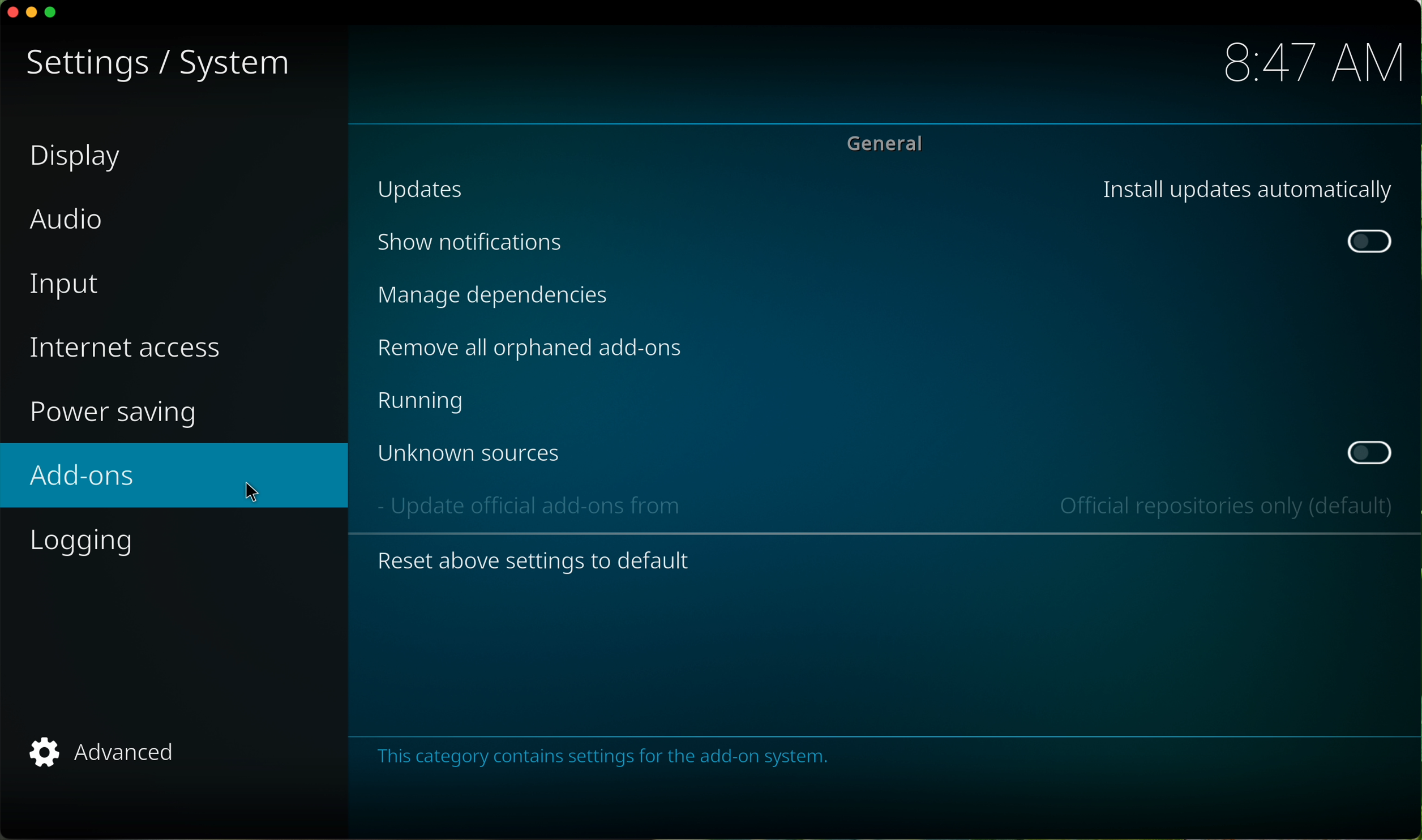 The height and width of the screenshot is (840, 1422). I want to click on Manage dependencies, so click(498, 301).